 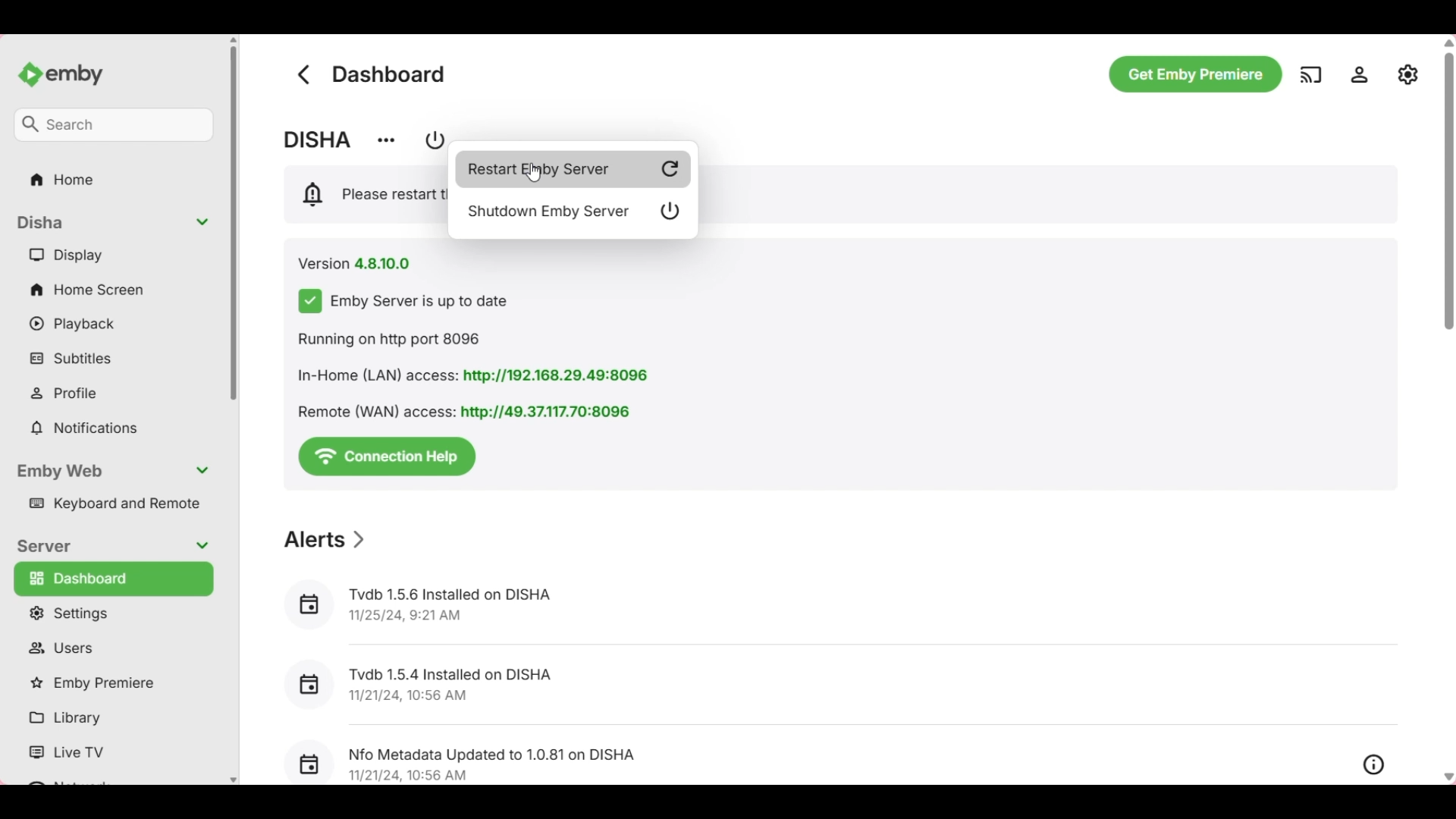 What do you see at coordinates (233, 39) in the screenshot?
I see `Quick slide to top of left panel` at bounding box center [233, 39].